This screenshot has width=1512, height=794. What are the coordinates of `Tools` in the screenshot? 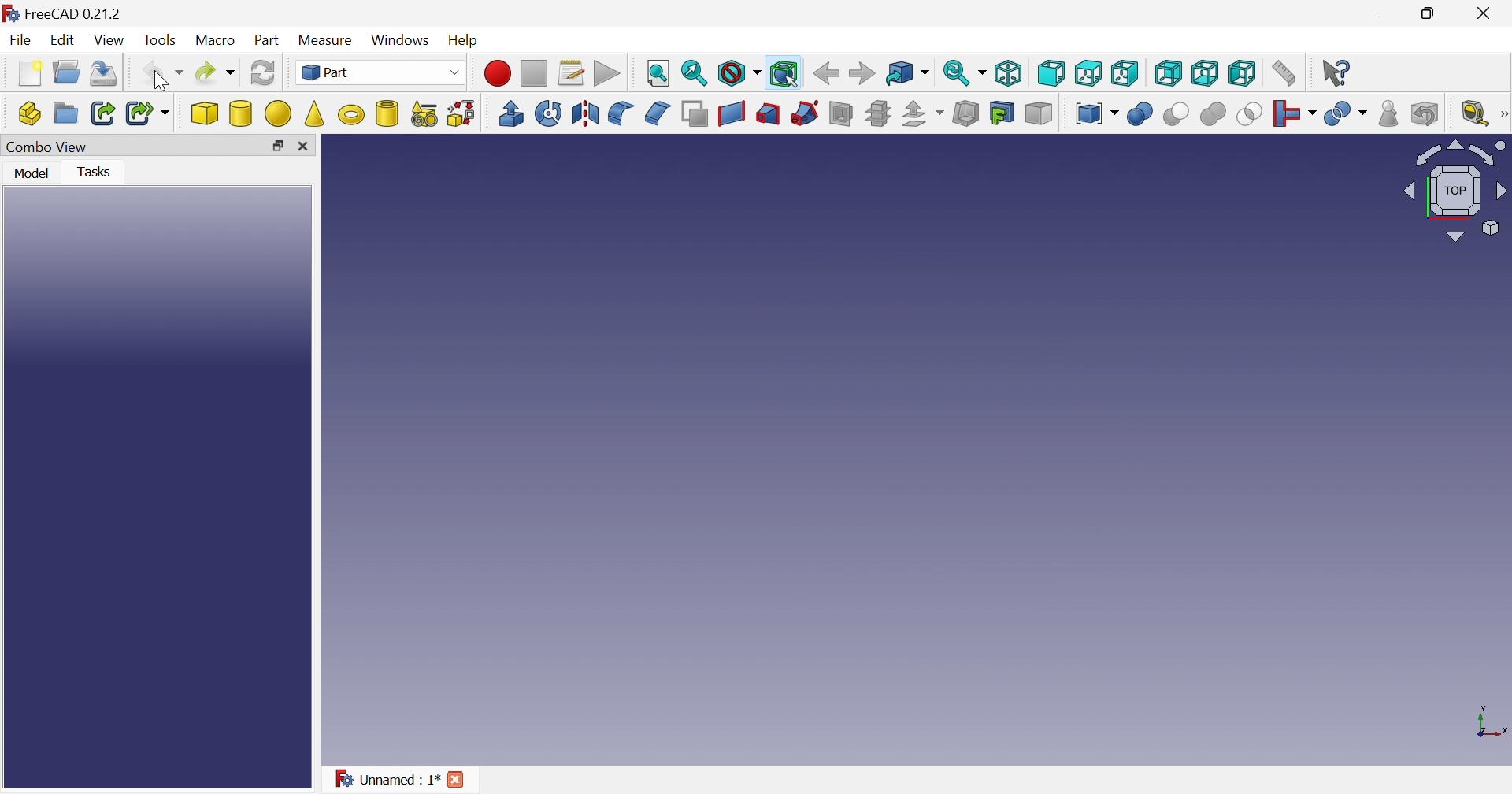 It's located at (161, 42).